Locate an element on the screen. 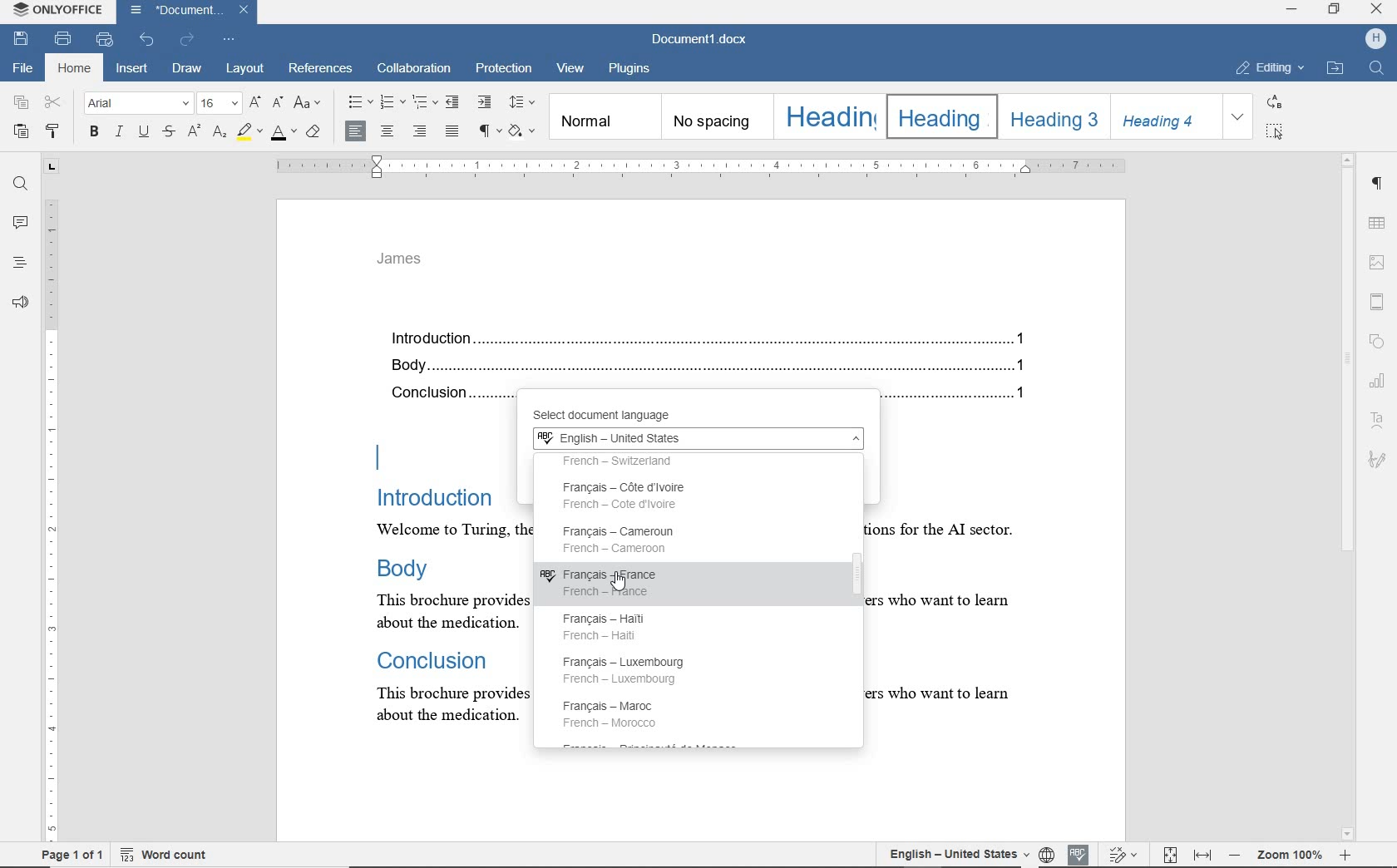 This screenshot has width=1397, height=868. plugins is located at coordinates (629, 69).